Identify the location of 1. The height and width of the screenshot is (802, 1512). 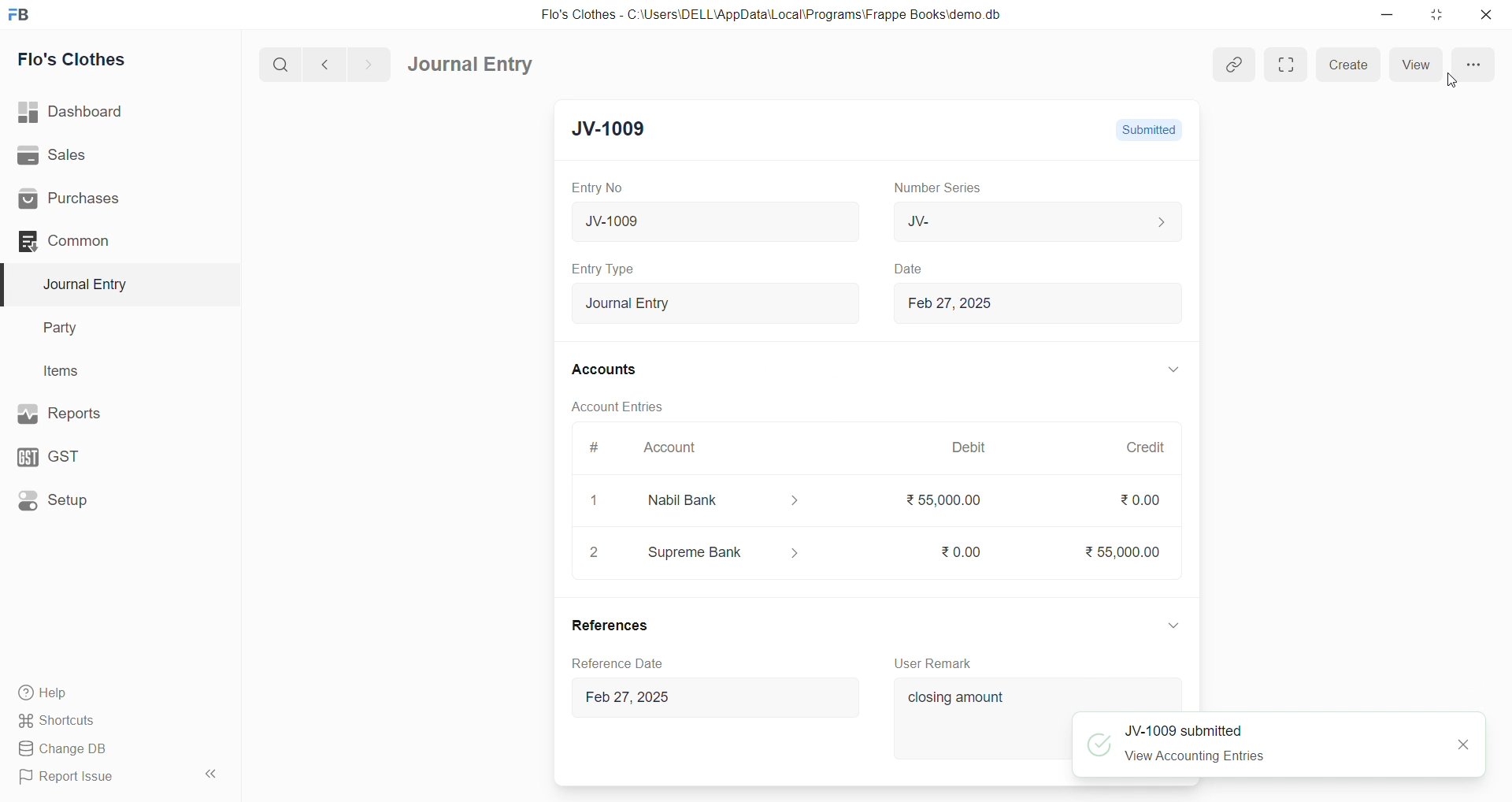
(594, 501).